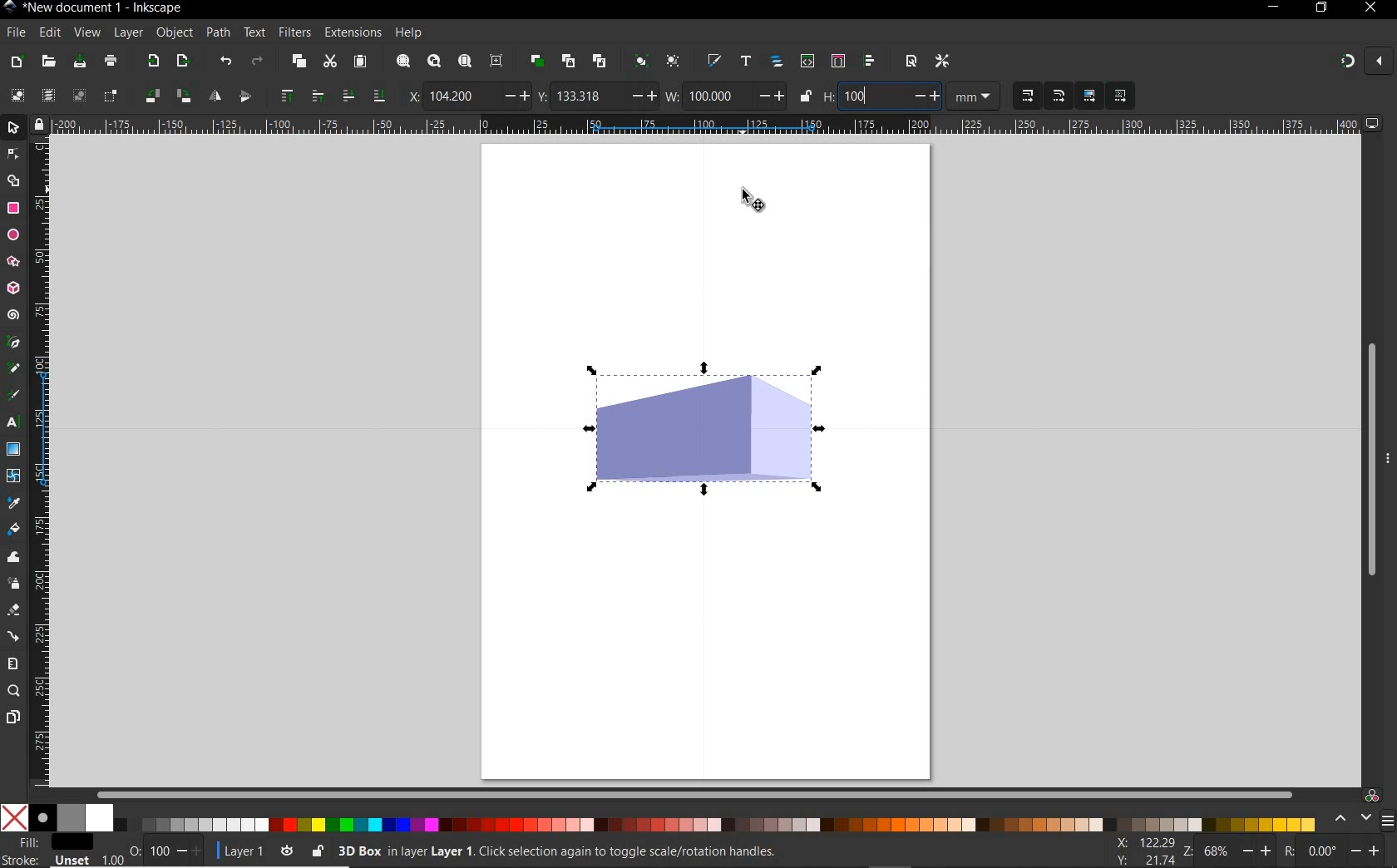  What do you see at coordinates (1378, 60) in the screenshot?
I see `close` at bounding box center [1378, 60].